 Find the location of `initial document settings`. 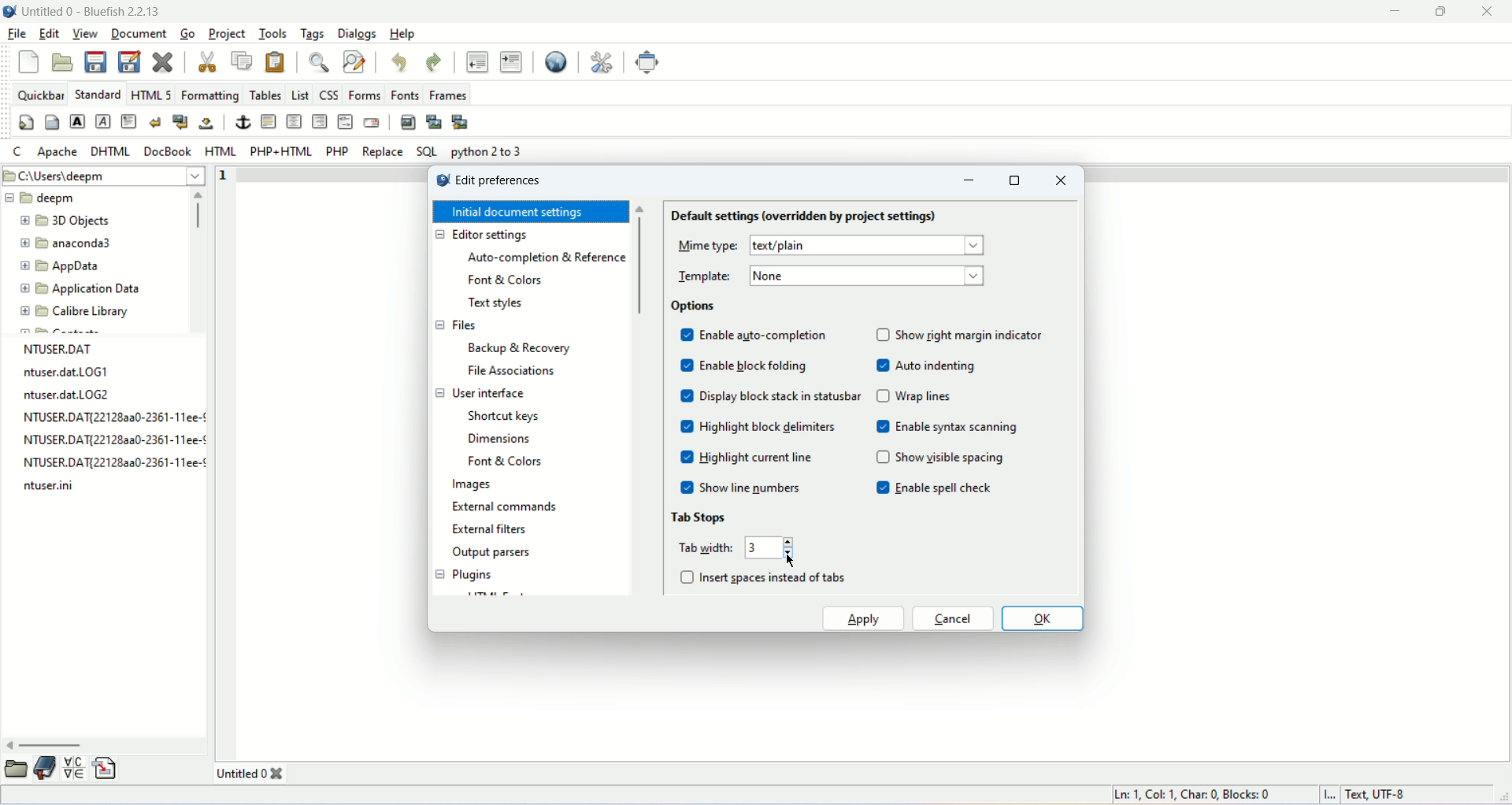

initial document settings is located at coordinates (531, 213).